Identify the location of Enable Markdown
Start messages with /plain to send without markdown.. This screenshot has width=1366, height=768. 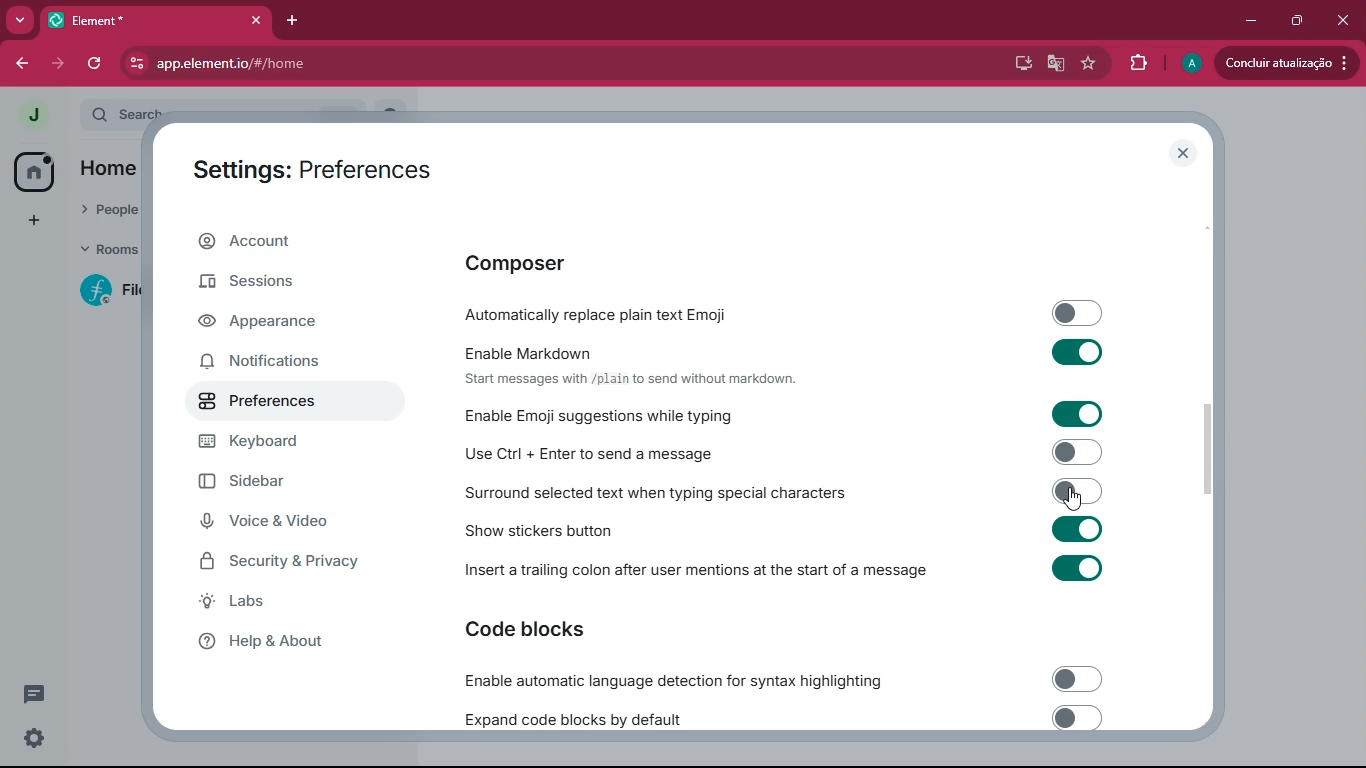
(793, 361).